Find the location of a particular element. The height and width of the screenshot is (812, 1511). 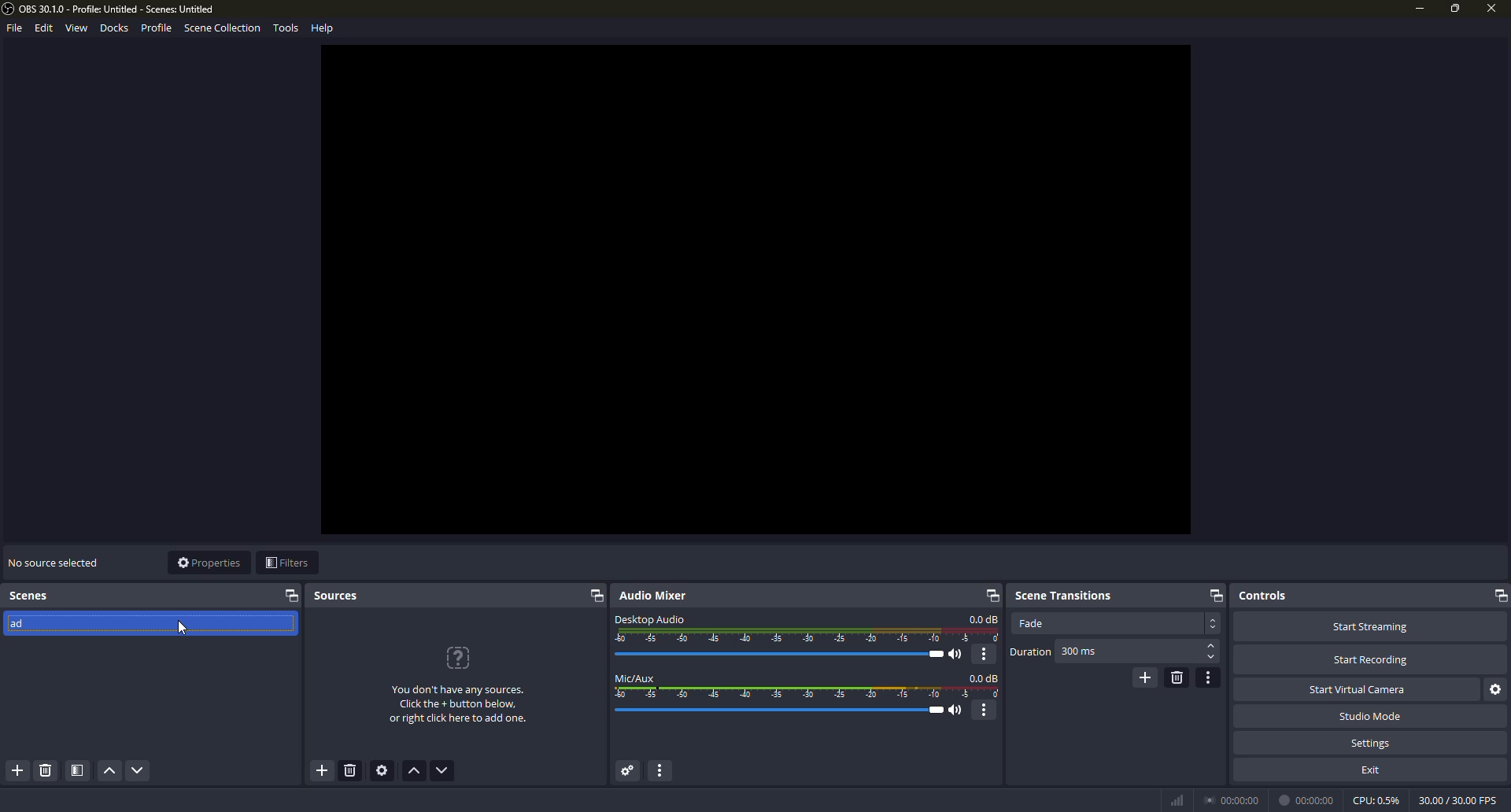

audio mixer is located at coordinates (657, 596).